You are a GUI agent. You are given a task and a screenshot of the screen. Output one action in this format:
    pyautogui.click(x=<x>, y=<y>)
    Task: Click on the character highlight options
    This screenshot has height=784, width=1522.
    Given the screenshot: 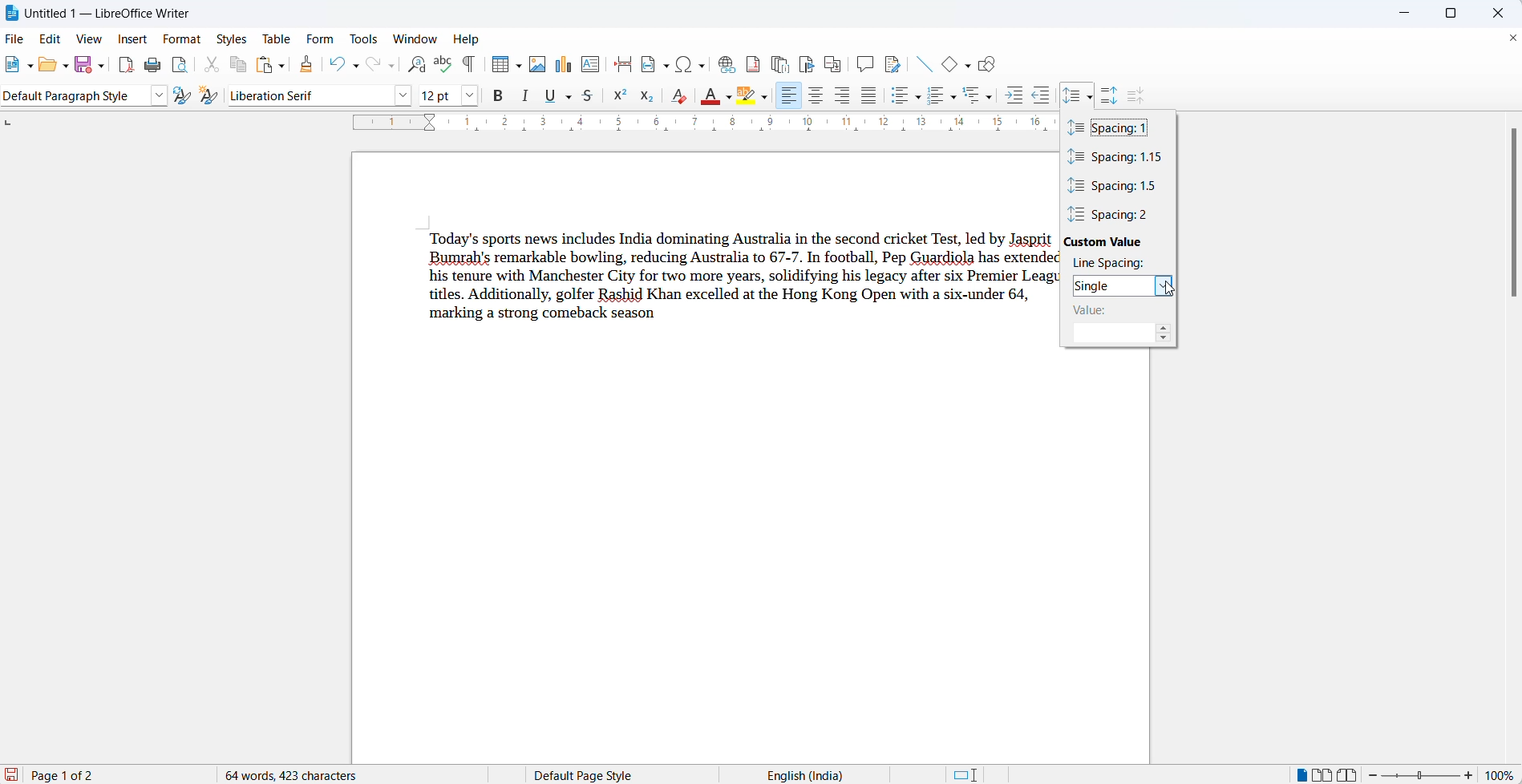 What is the action you would take?
    pyautogui.click(x=764, y=99)
    